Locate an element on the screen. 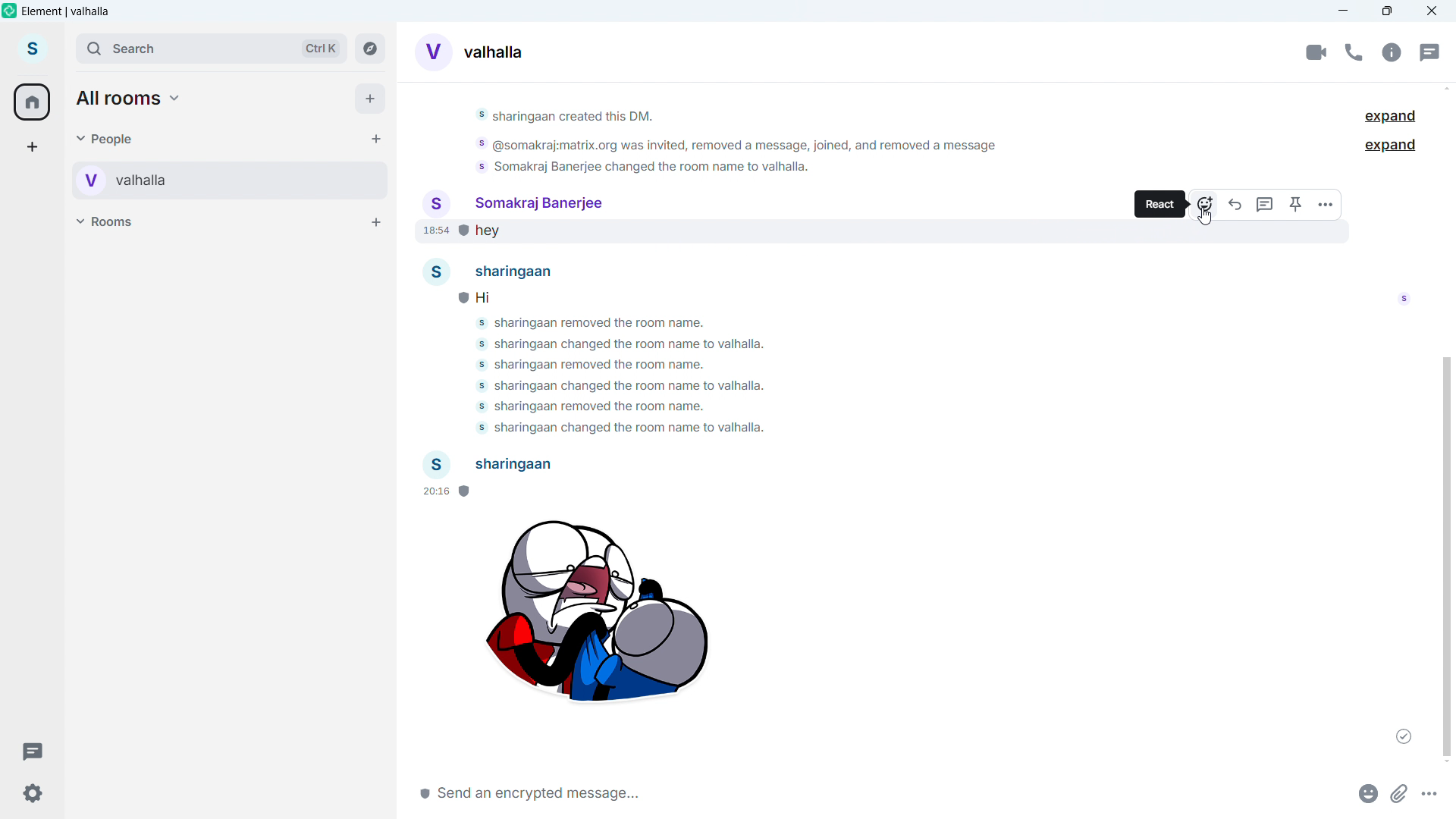 The width and height of the screenshot is (1456, 819). cursor  movement is located at coordinates (1203, 221).